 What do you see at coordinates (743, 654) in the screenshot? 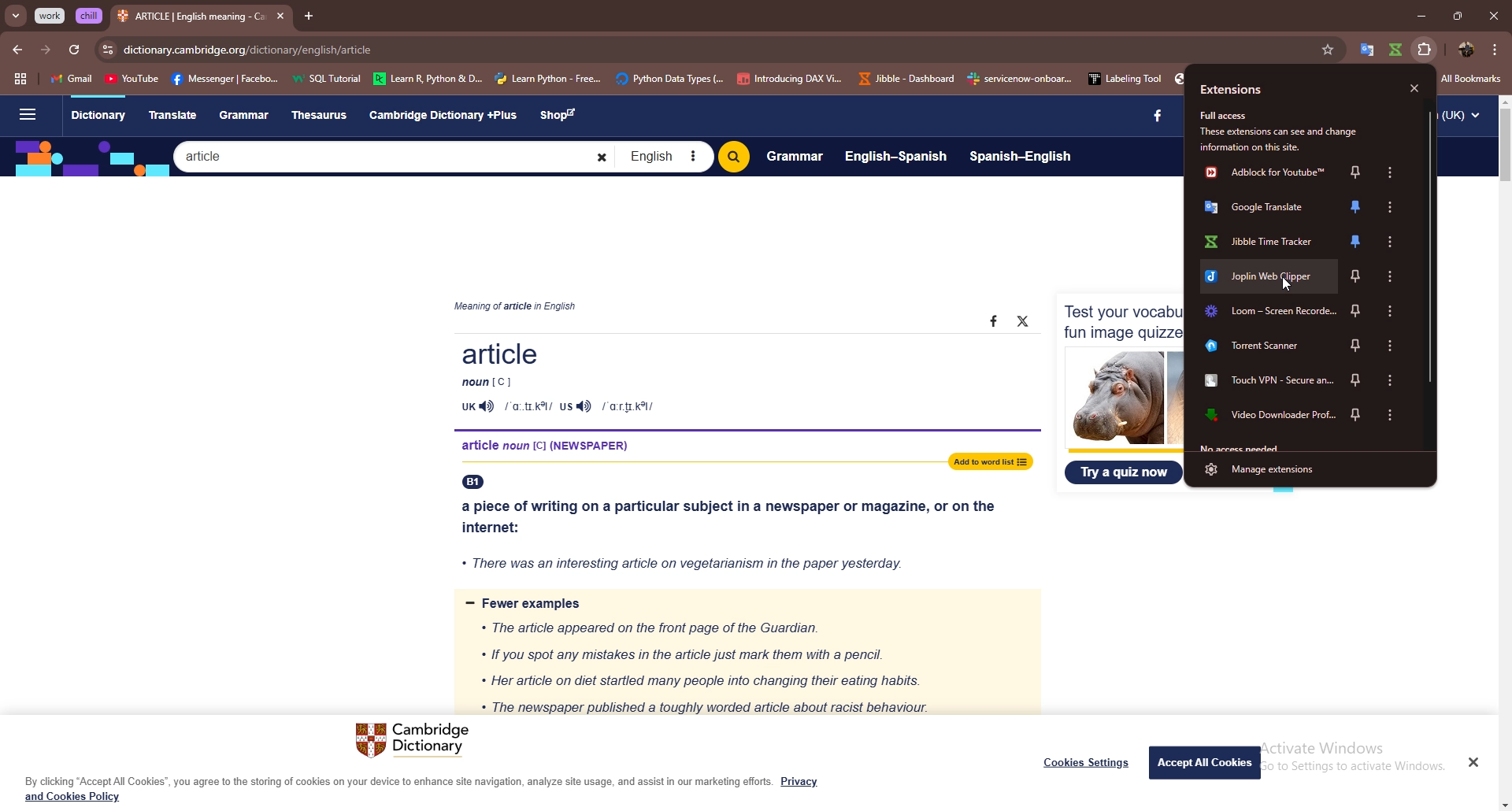
I see `= Fewer examples
« The article appeared on the front page of the Guardian.
« If you spot any mistakes in the article just mark them with a pencil.
* Her article on diet startled many people into changing their eating habits.
« The newspaper published a toughly worded article about racist behaviour.` at bounding box center [743, 654].